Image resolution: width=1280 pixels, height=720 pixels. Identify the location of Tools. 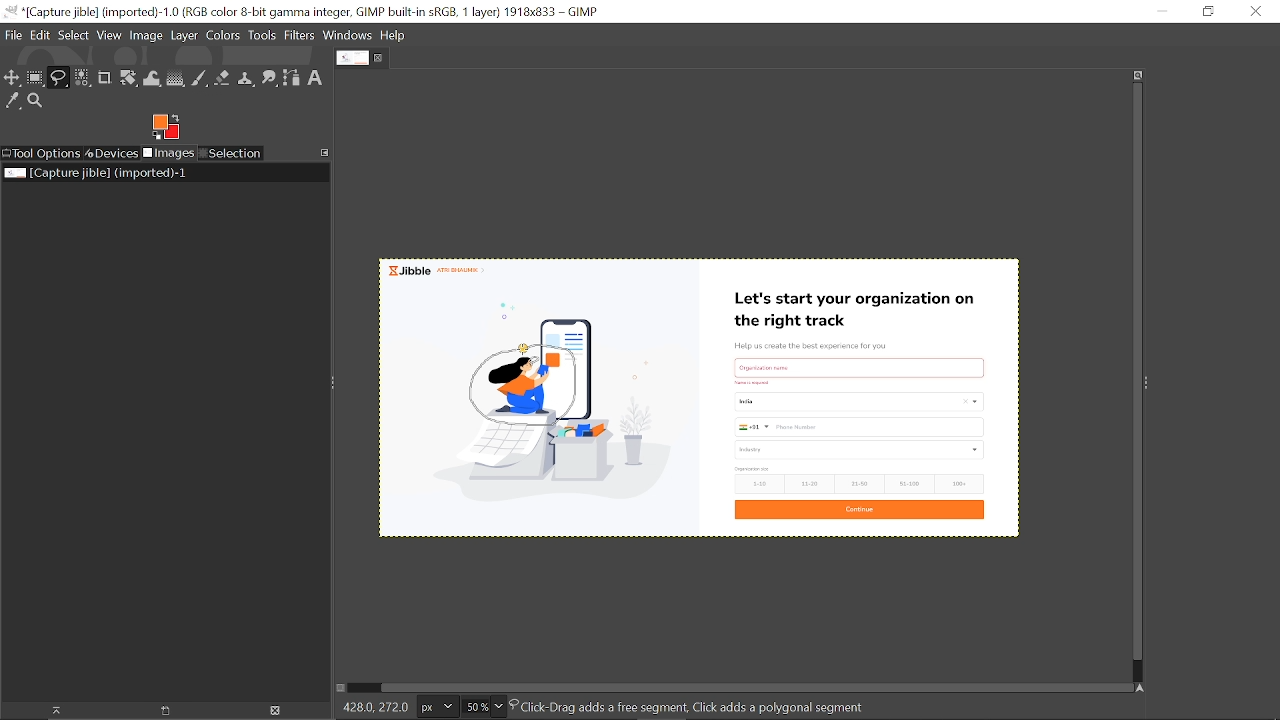
(262, 36).